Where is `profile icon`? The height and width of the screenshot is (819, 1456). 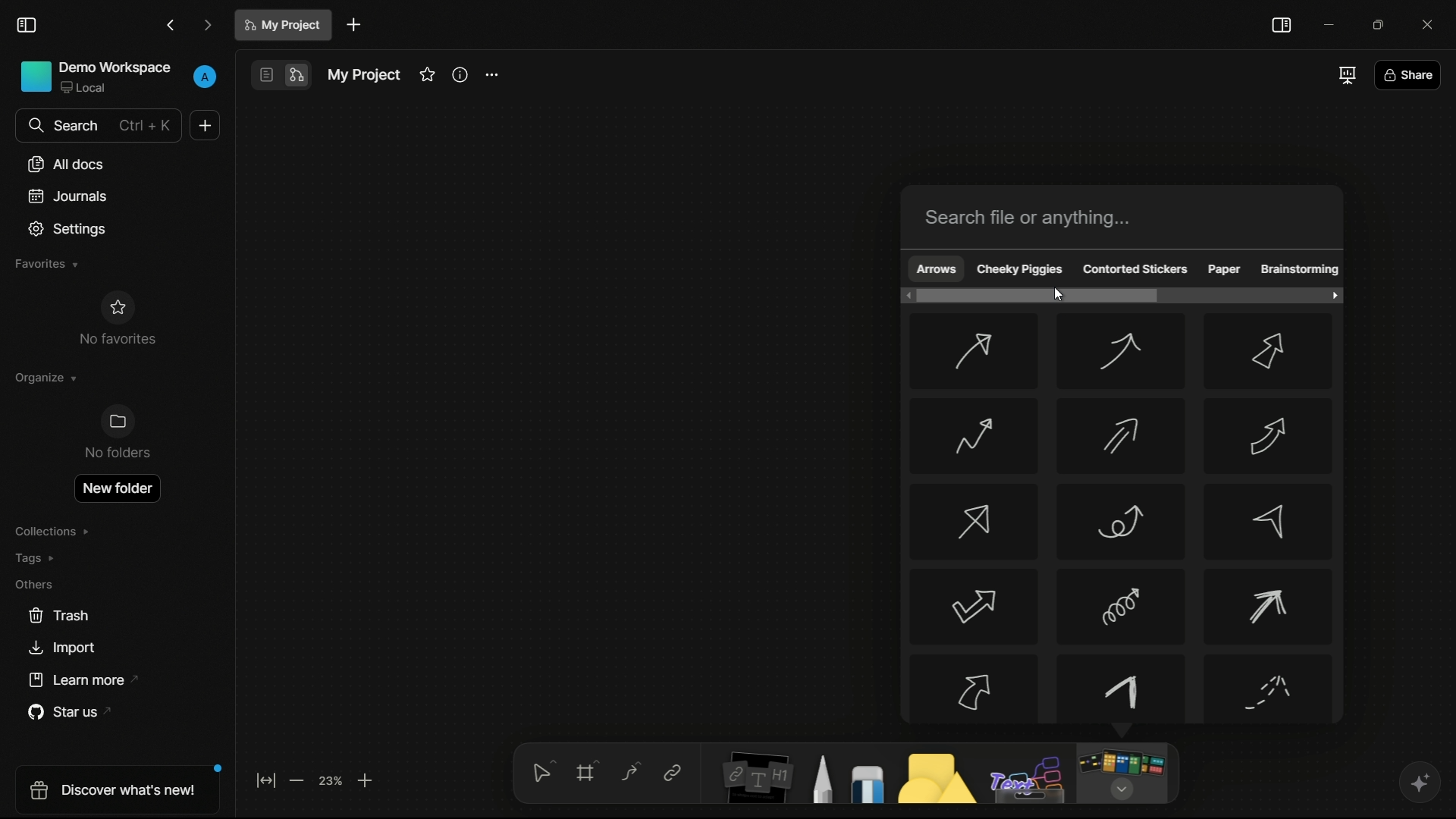
profile icon is located at coordinates (206, 74).